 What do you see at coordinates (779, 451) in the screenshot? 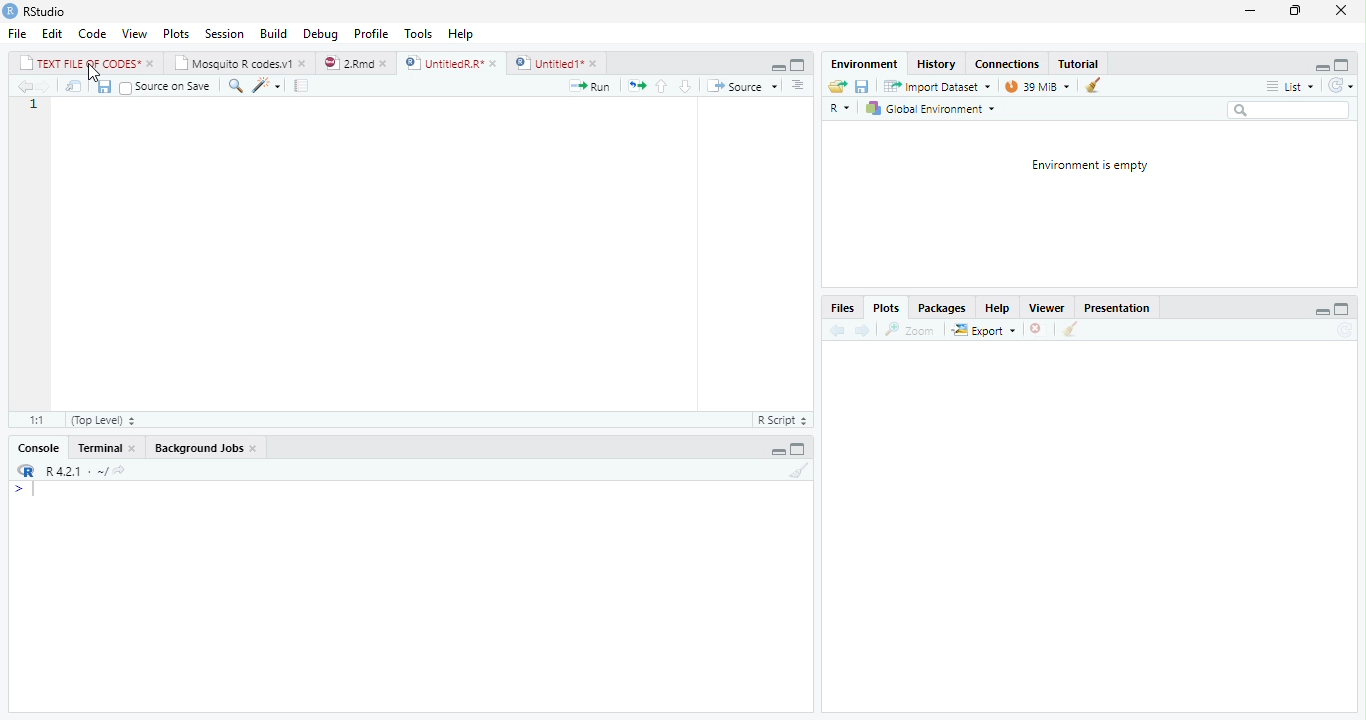
I see `Minimize` at bounding box center [779, 451].